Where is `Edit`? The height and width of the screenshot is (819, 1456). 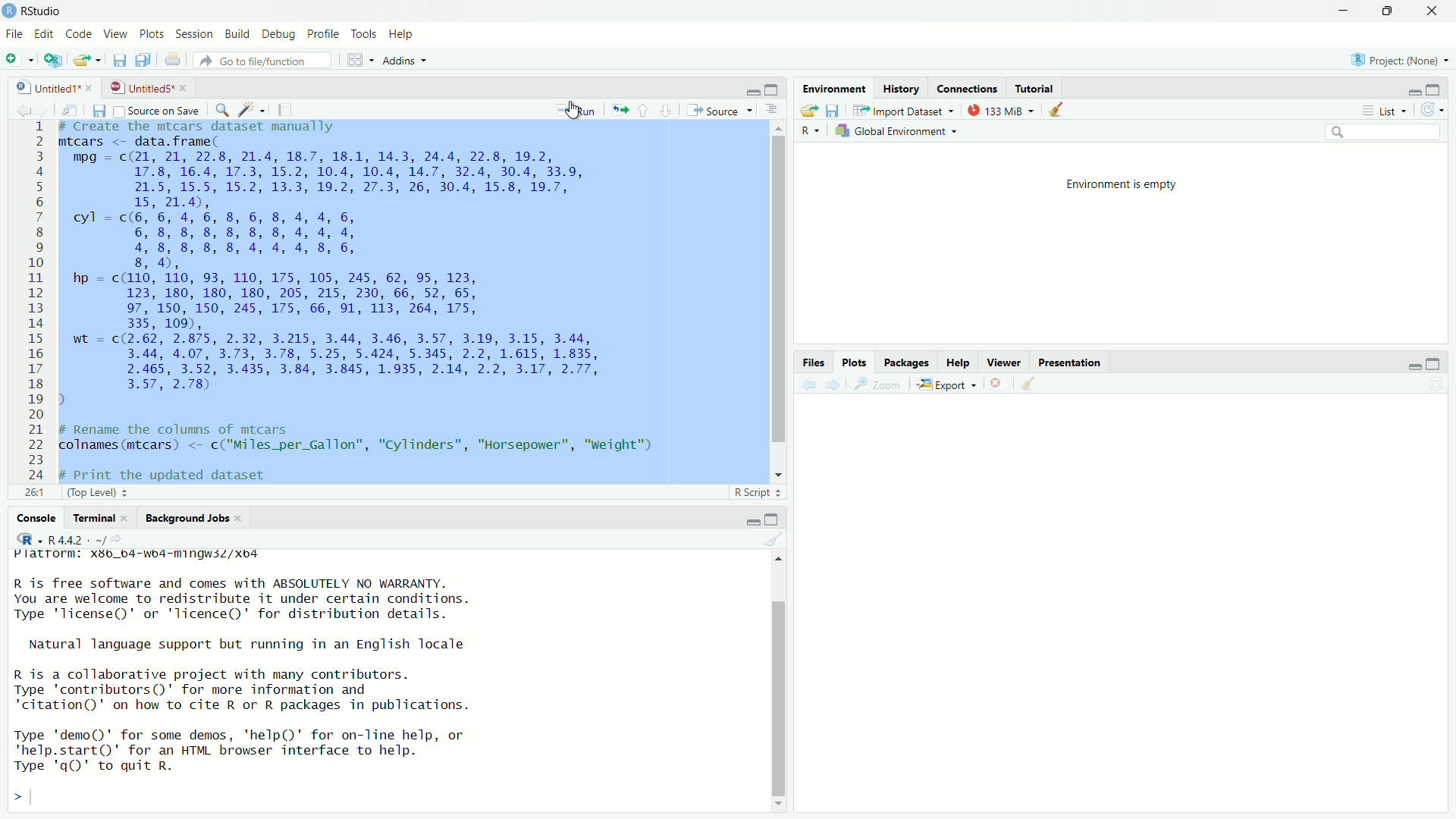
Edit is located at coordinates (43, 34).